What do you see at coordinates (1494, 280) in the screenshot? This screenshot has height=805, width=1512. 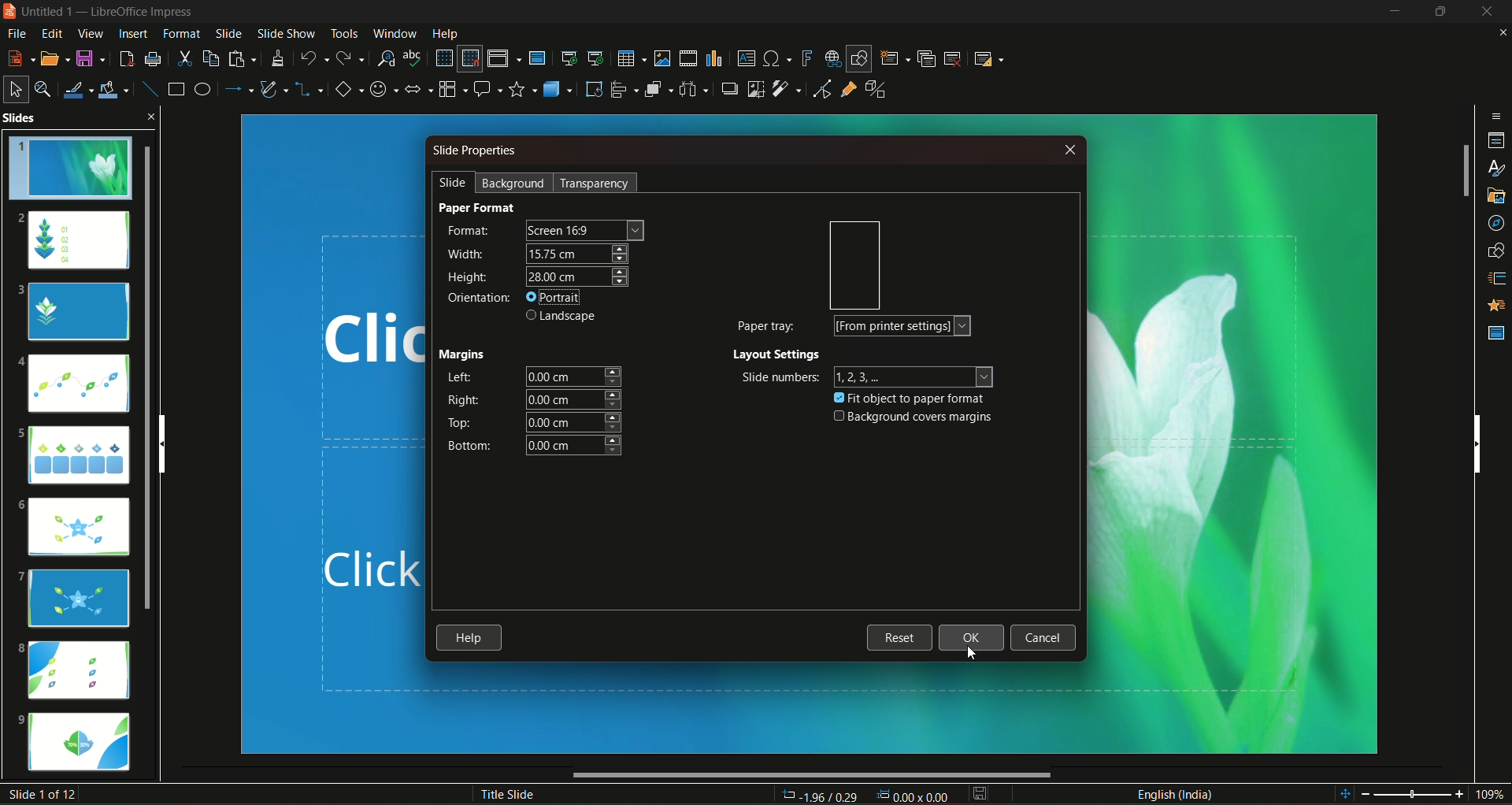 I see `slide transition` at bounding box center [1494, 280].